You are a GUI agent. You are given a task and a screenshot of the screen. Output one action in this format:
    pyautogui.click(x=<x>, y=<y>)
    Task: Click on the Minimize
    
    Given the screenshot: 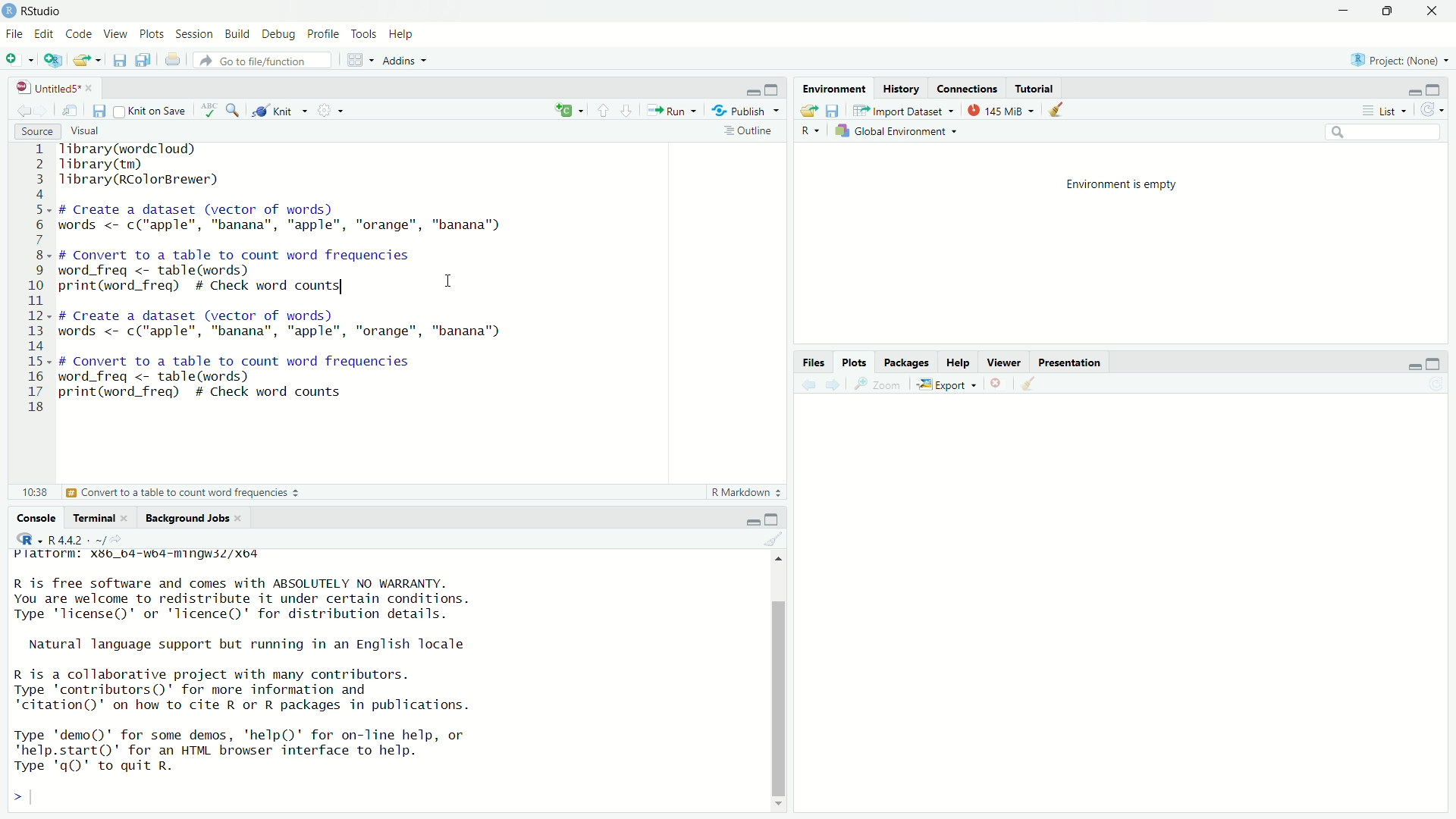 What is the action you would take?
    pyautogui.click(x=1410, y=369)
    